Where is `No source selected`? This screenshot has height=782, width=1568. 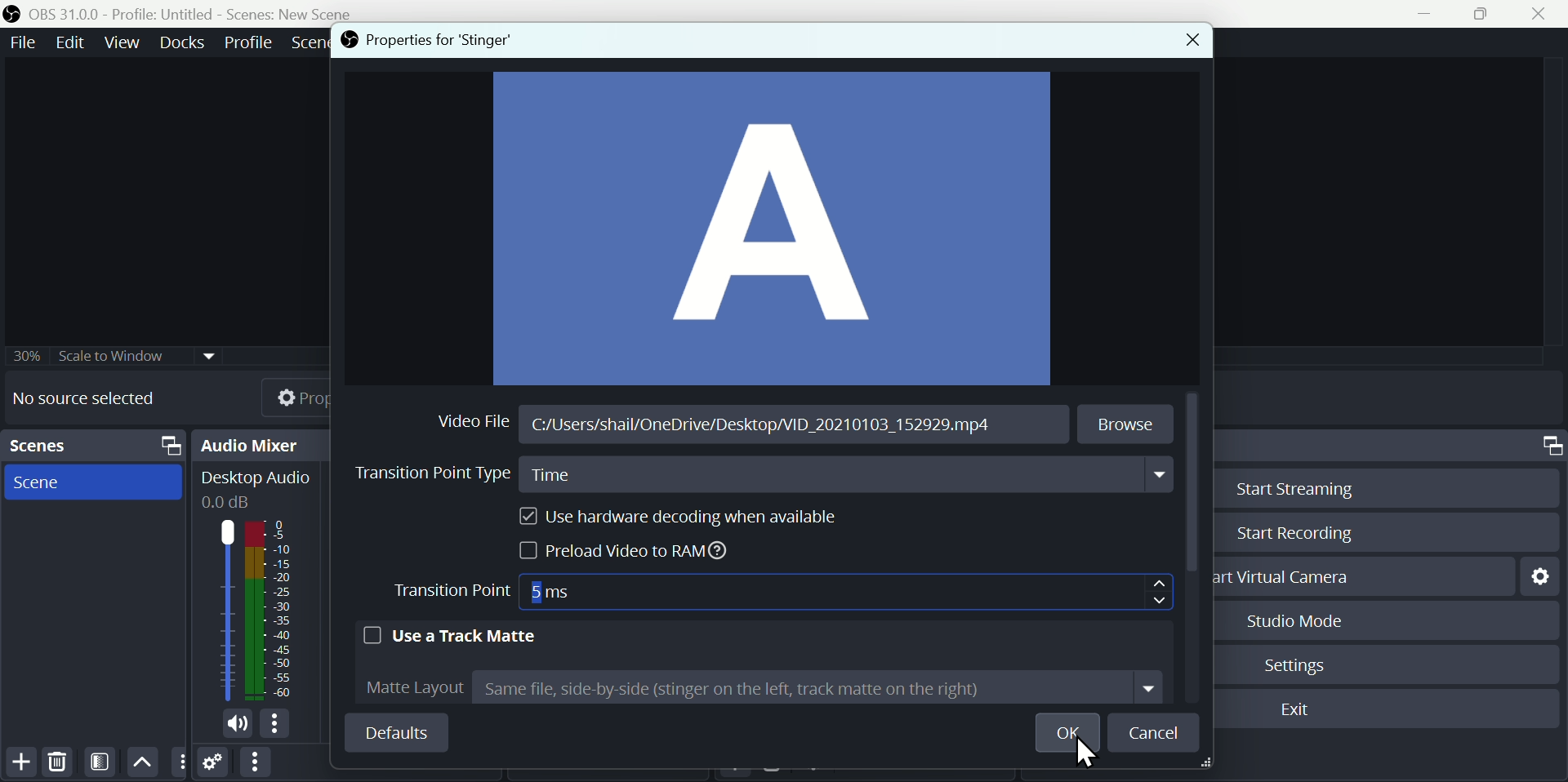
No source selected is located at coordinates (96, 398).